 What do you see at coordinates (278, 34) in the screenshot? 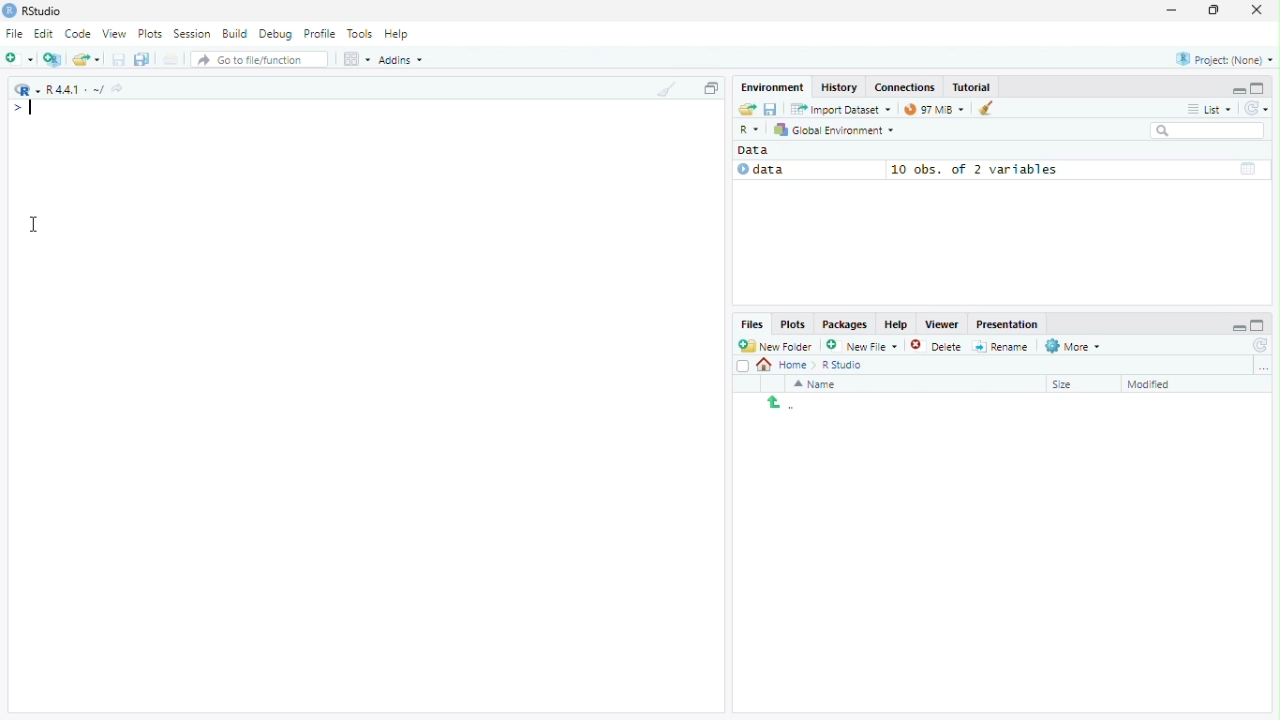
I see `Debug` at bounding box center [278, 34].